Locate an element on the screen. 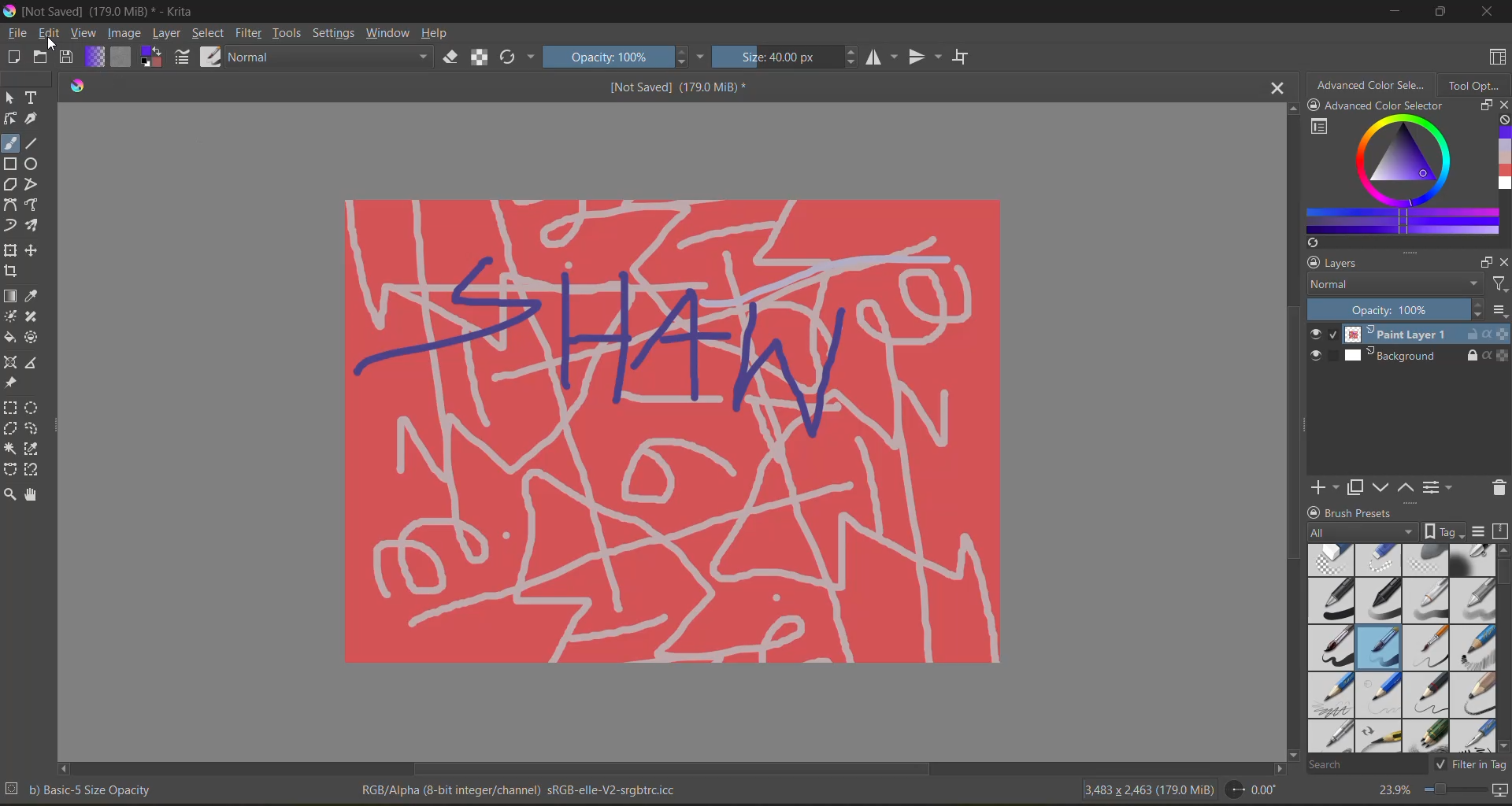  select is located at coordinates (208, 33).